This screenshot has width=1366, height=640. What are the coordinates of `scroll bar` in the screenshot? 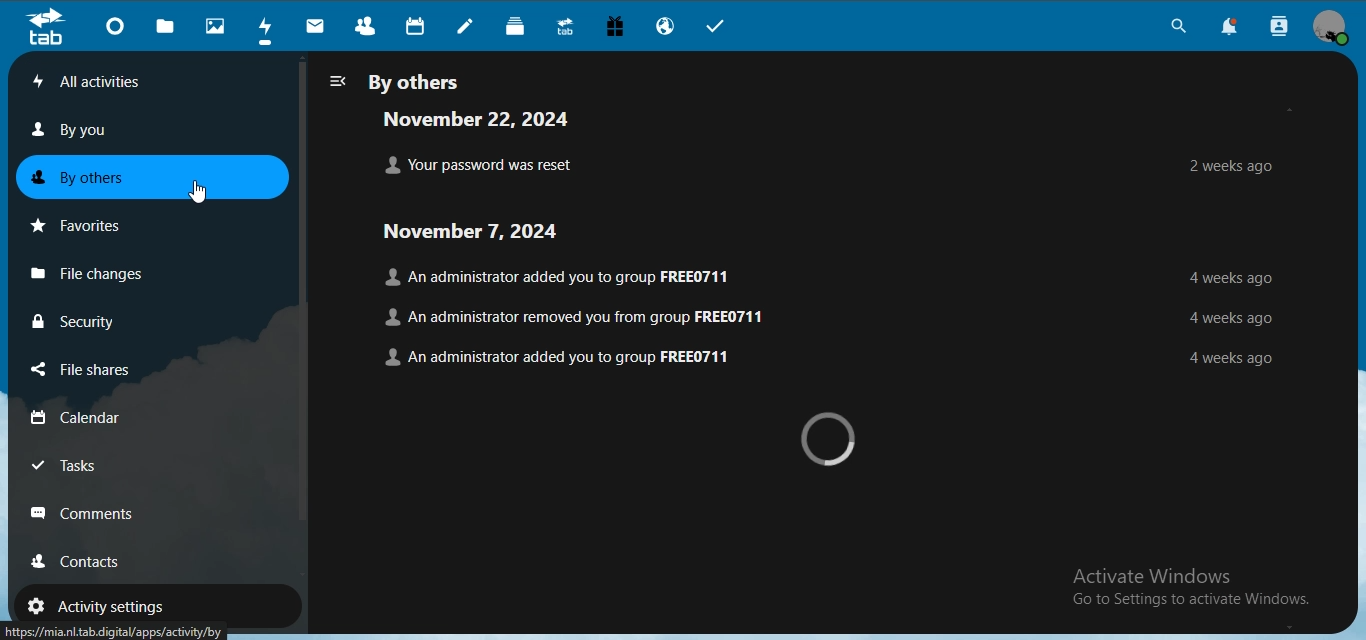 It's located at (300, 290).